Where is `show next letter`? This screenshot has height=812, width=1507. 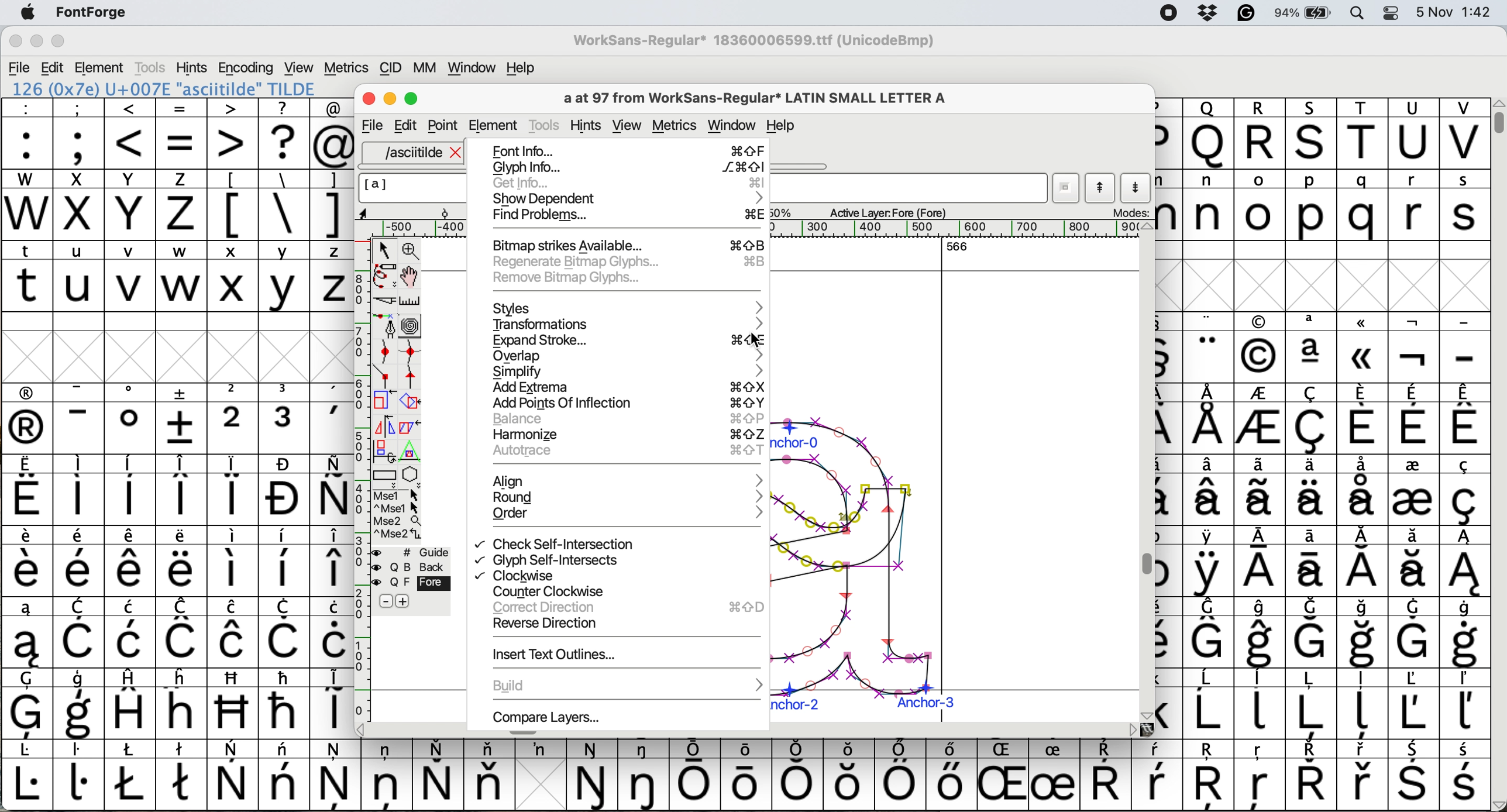 show next letter is located at coordinates (1138, 187).